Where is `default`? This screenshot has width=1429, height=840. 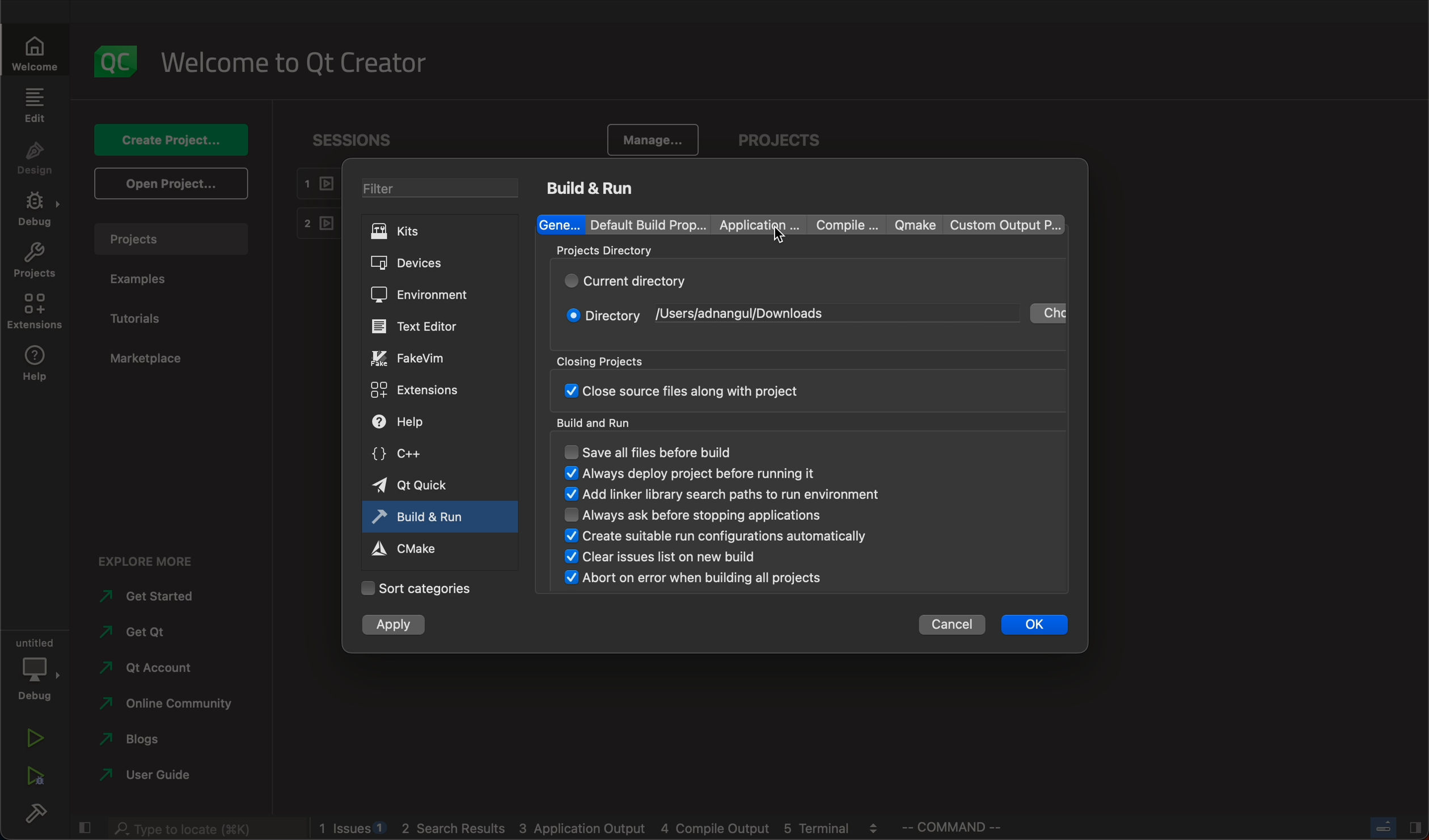 default is located at coordinates (649, 223).